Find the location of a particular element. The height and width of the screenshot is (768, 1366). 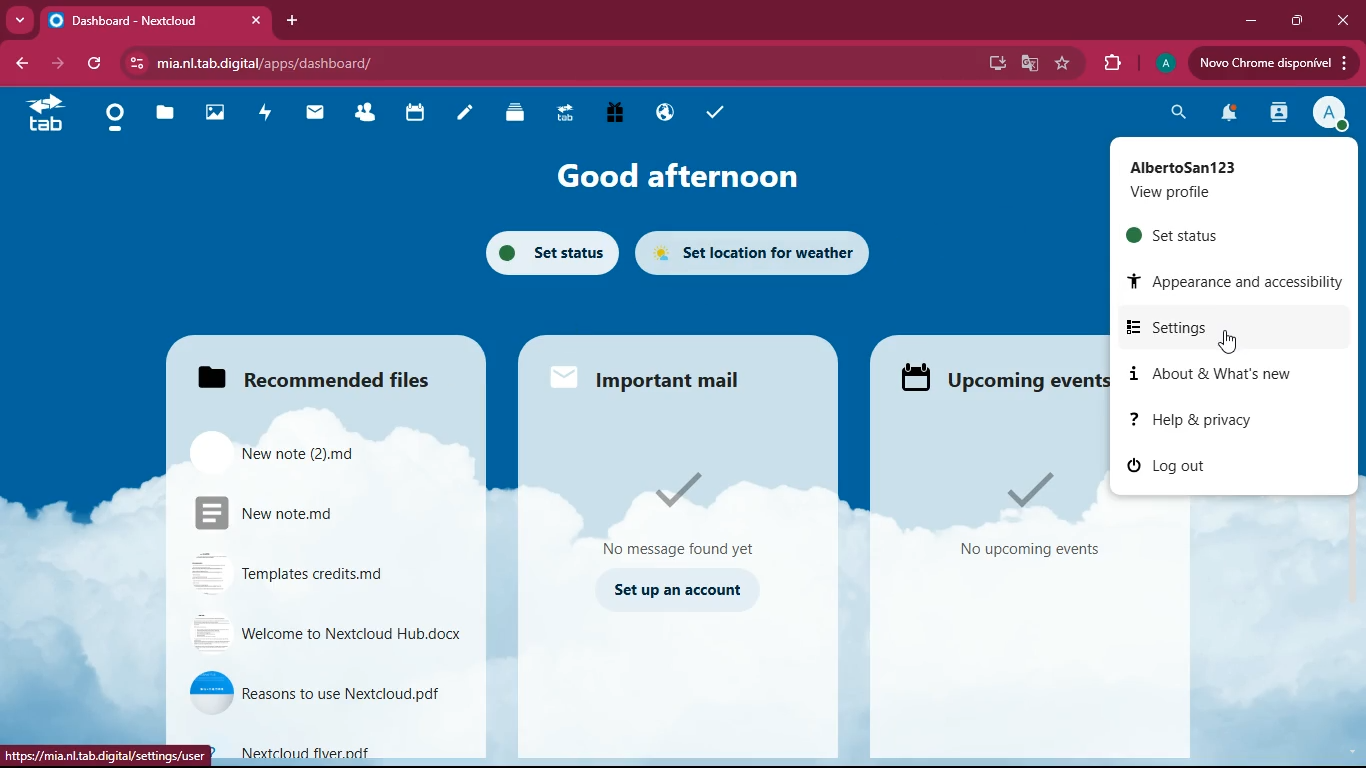

file is located at coordinates (348, 752).